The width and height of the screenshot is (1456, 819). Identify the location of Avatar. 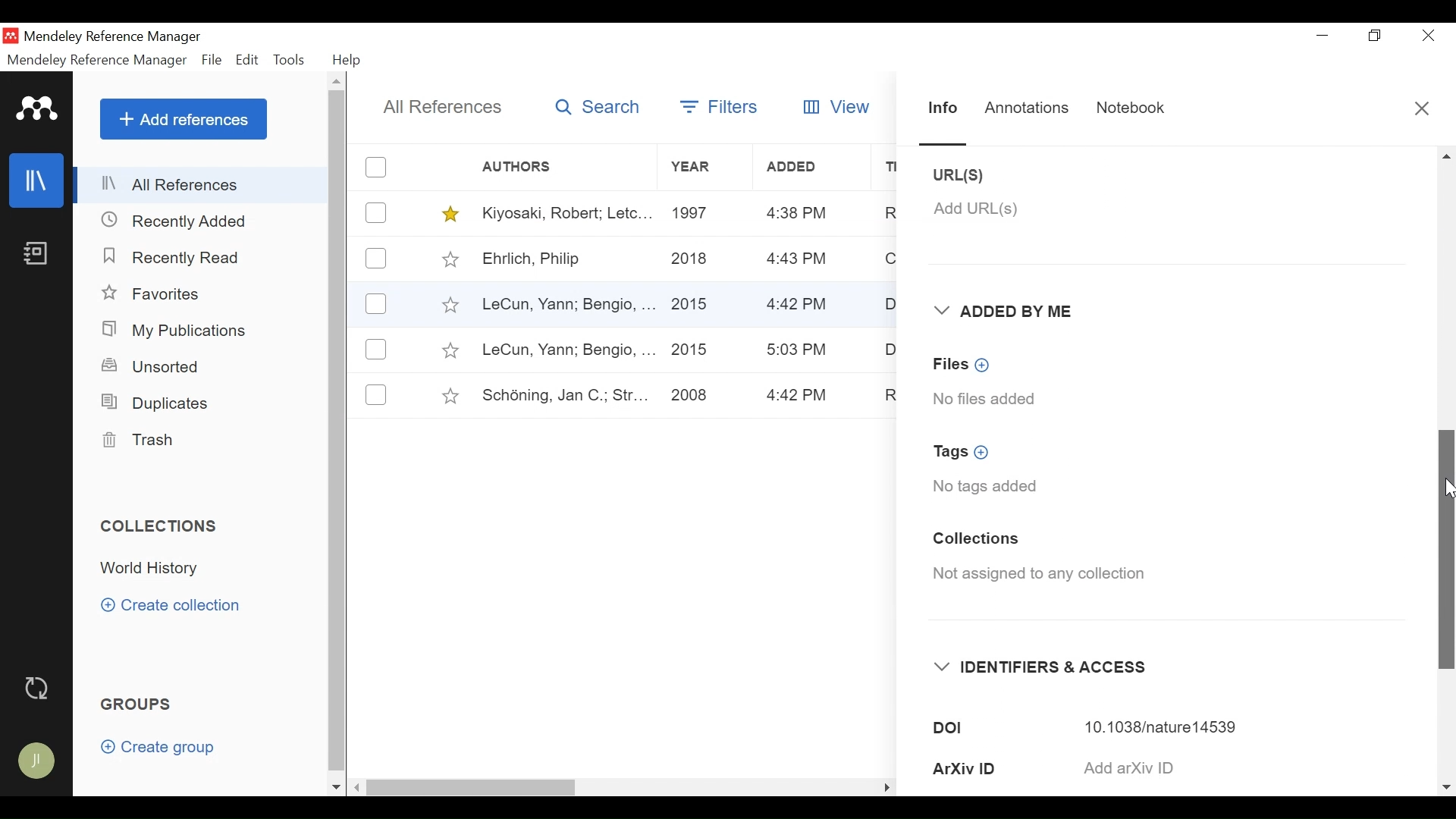
(38, 762).